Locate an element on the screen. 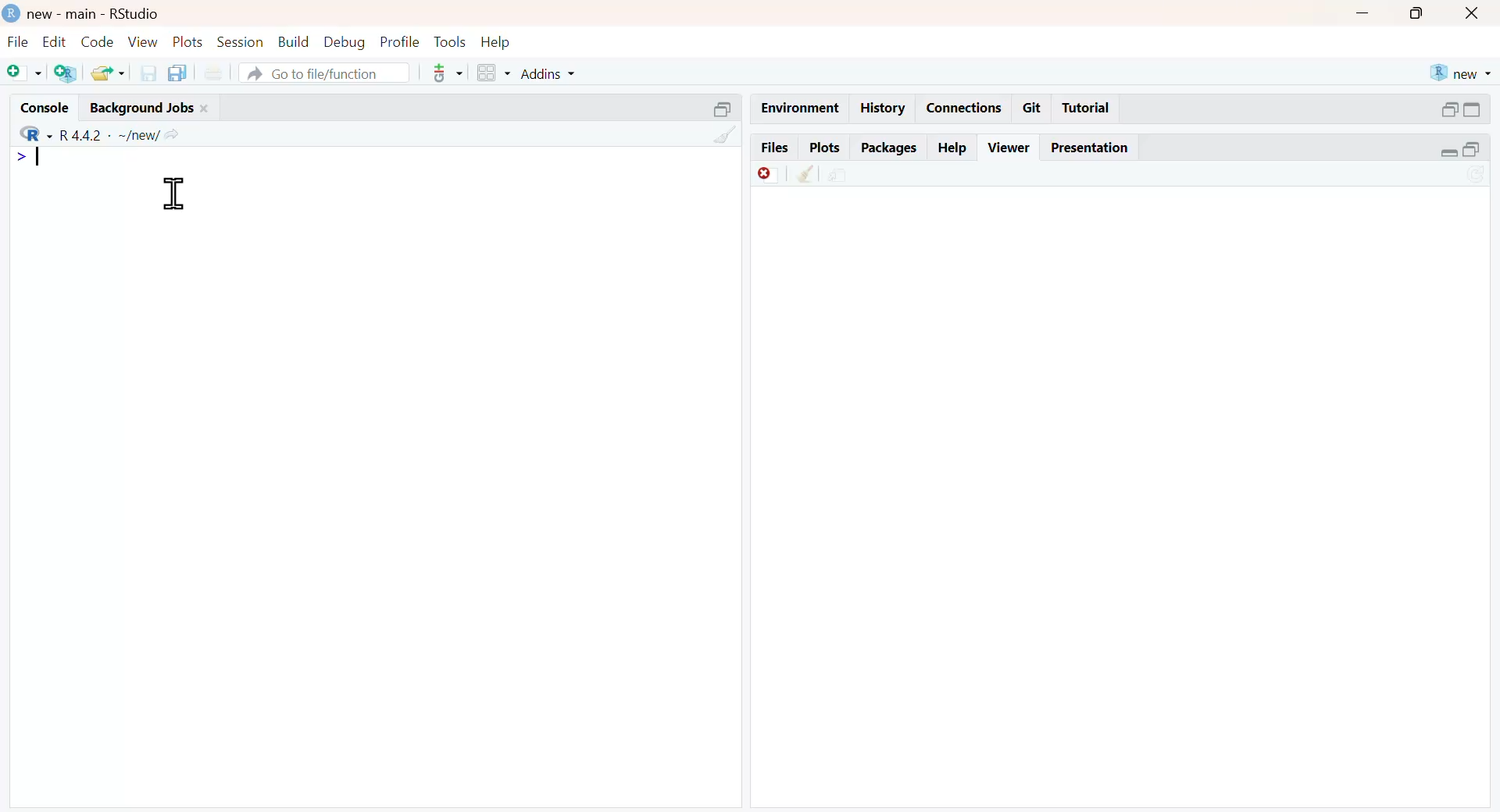 The width and height of the screenshot is (1500, 812). edit is located at coordinates (55, 41).